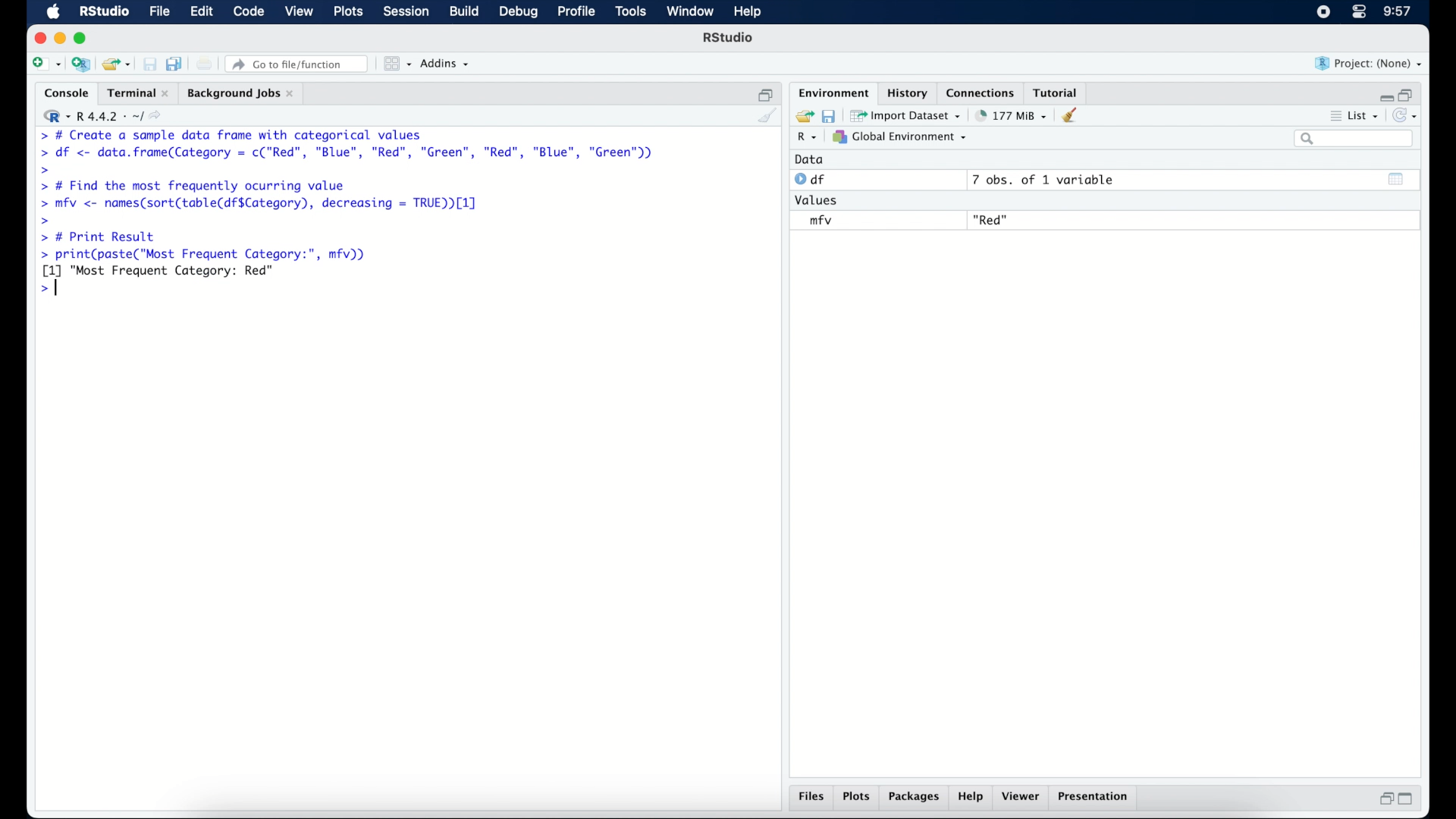  I want to click on "Red", so click(992, 218).